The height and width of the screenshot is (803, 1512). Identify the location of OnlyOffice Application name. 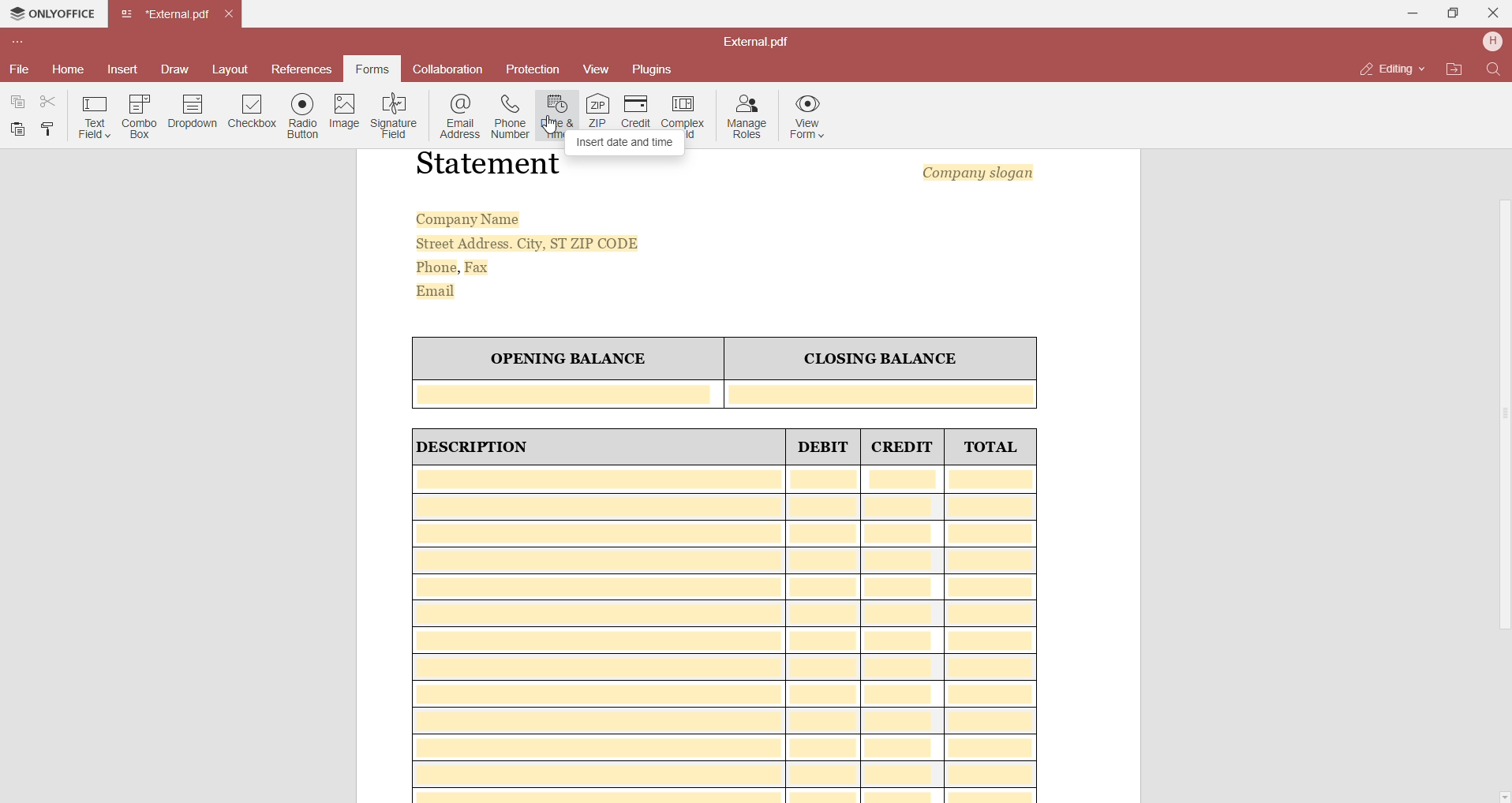
(51, 15).